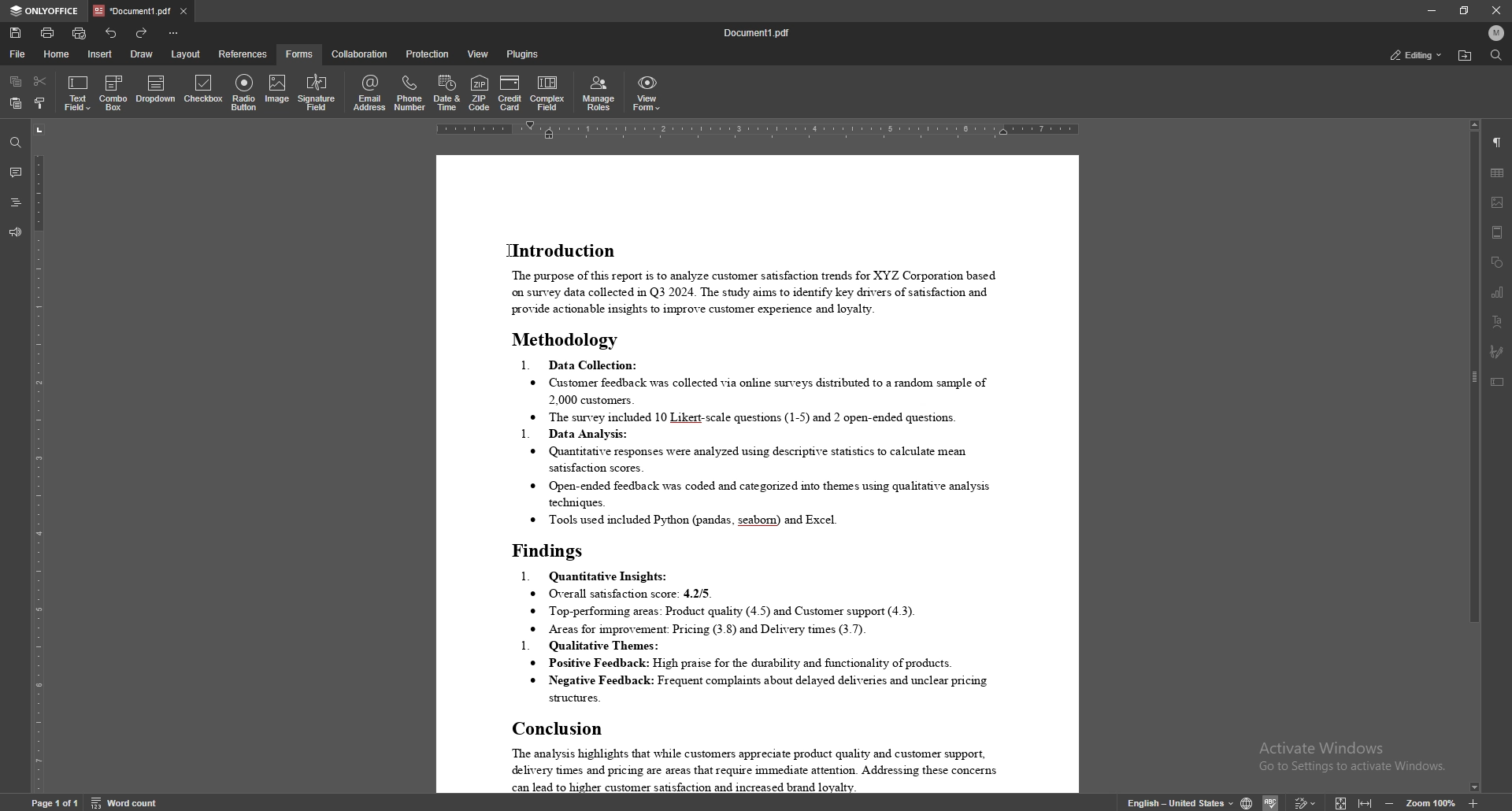  What do you see at coordinates (243, 54) in the screenshot?
I see `references` at bounding box center [243, 54].